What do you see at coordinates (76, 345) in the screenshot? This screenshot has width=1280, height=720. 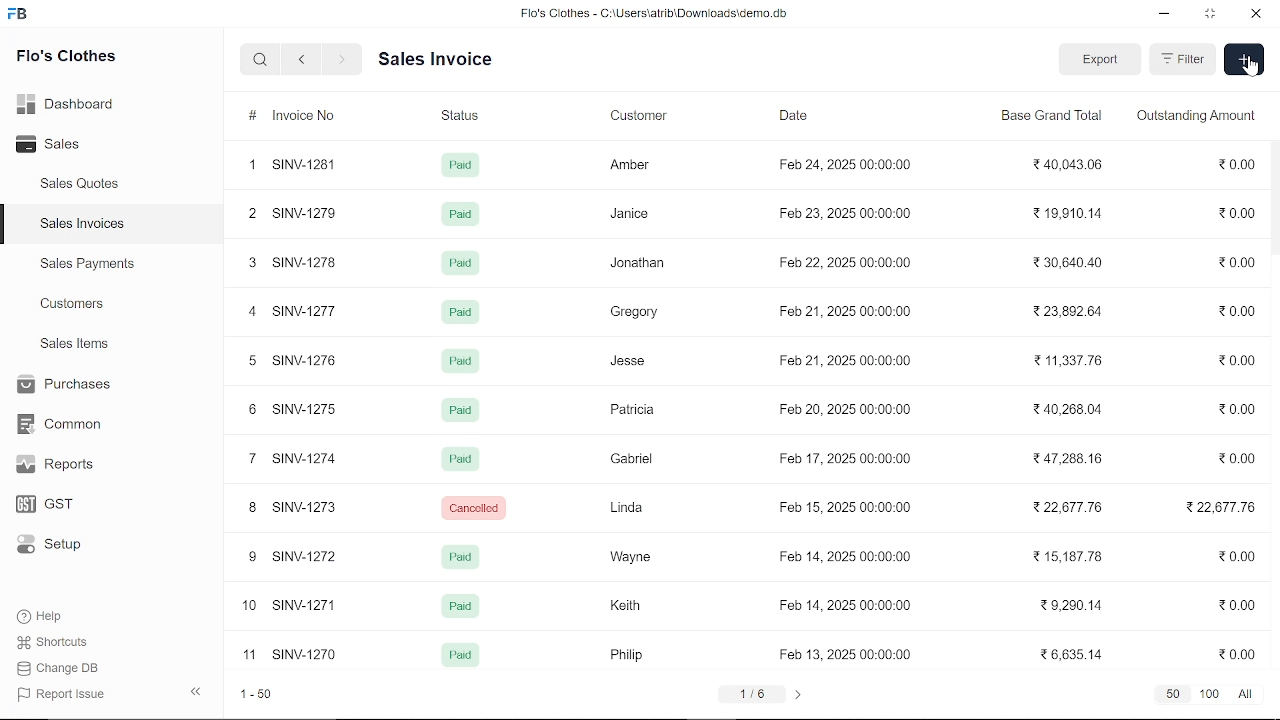 I see `Sales Items.` at bounding box center [76, 345].